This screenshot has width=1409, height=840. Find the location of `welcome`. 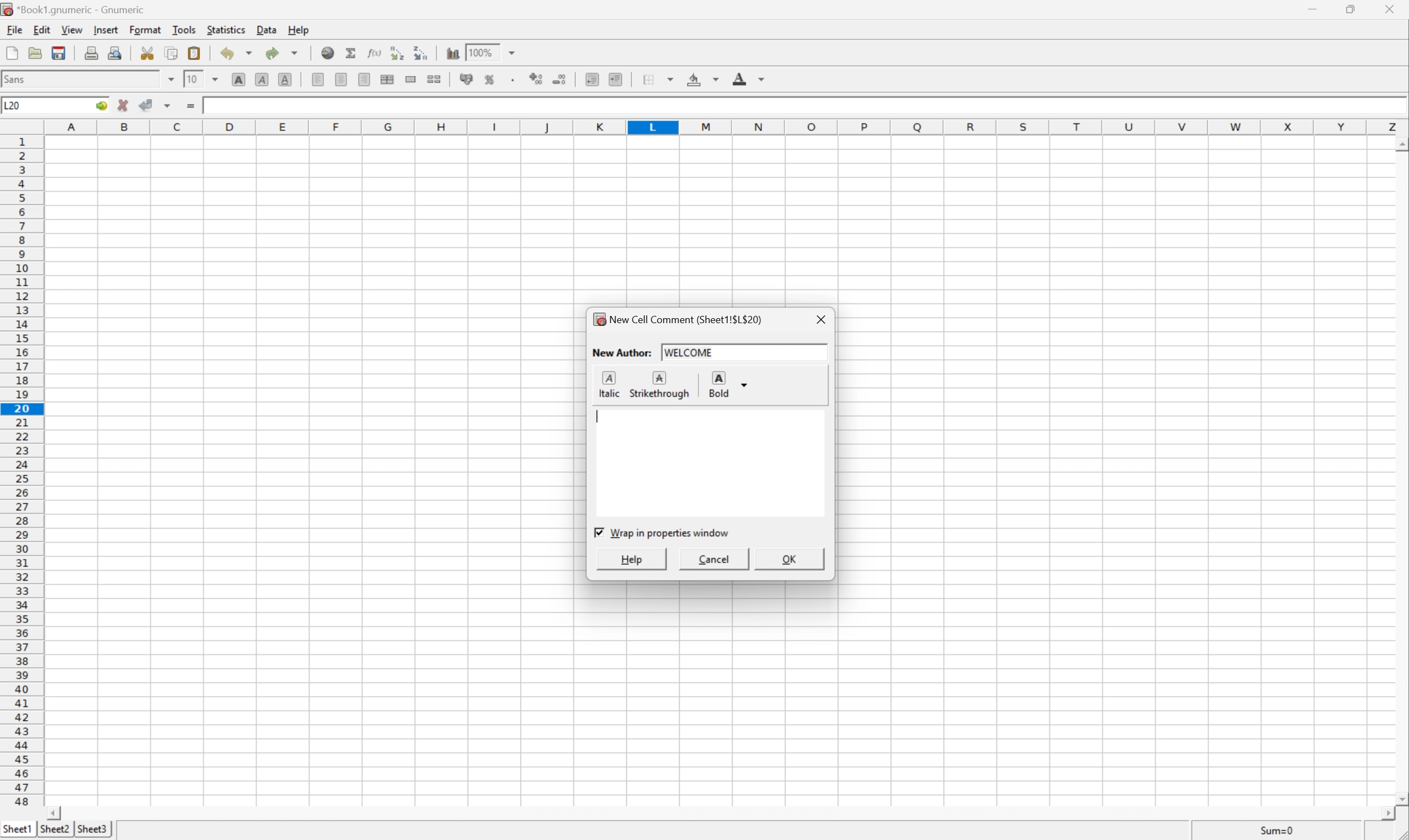

welcome is located at coordinates (688, 352).